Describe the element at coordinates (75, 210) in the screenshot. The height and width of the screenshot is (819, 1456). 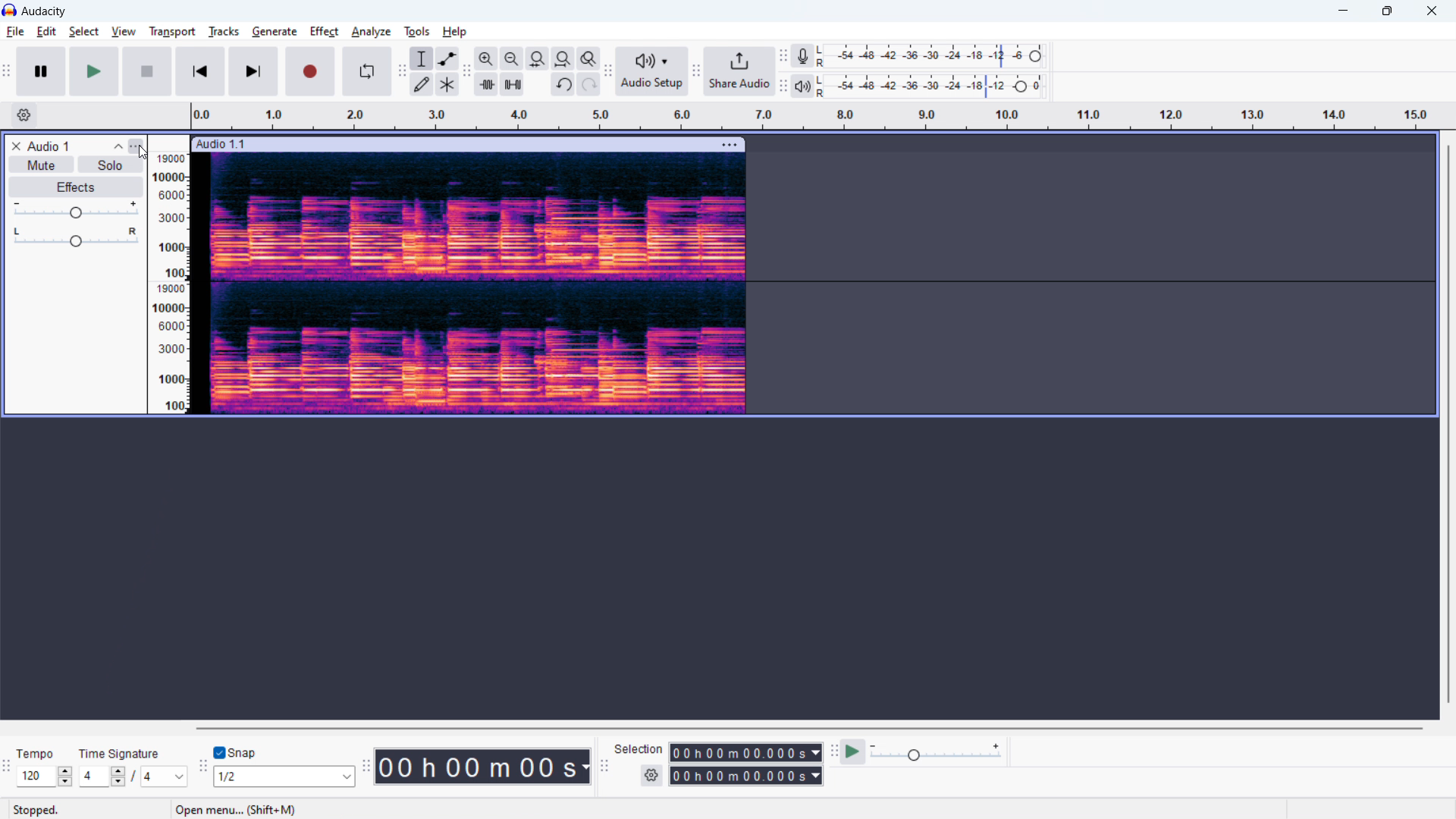
I see `gain` at that location.